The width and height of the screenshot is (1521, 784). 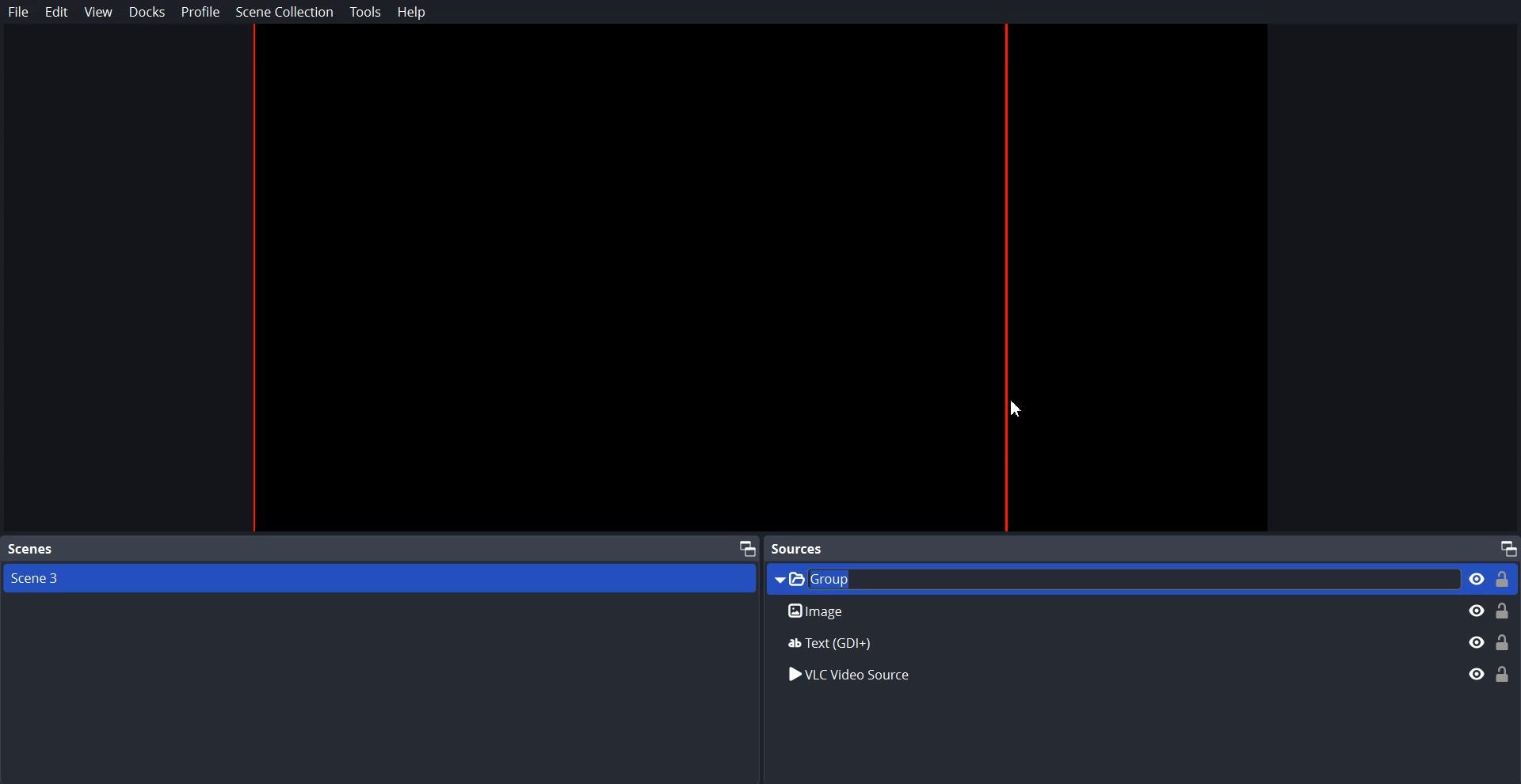 I want to click on Help, so click(x=412, y=12).